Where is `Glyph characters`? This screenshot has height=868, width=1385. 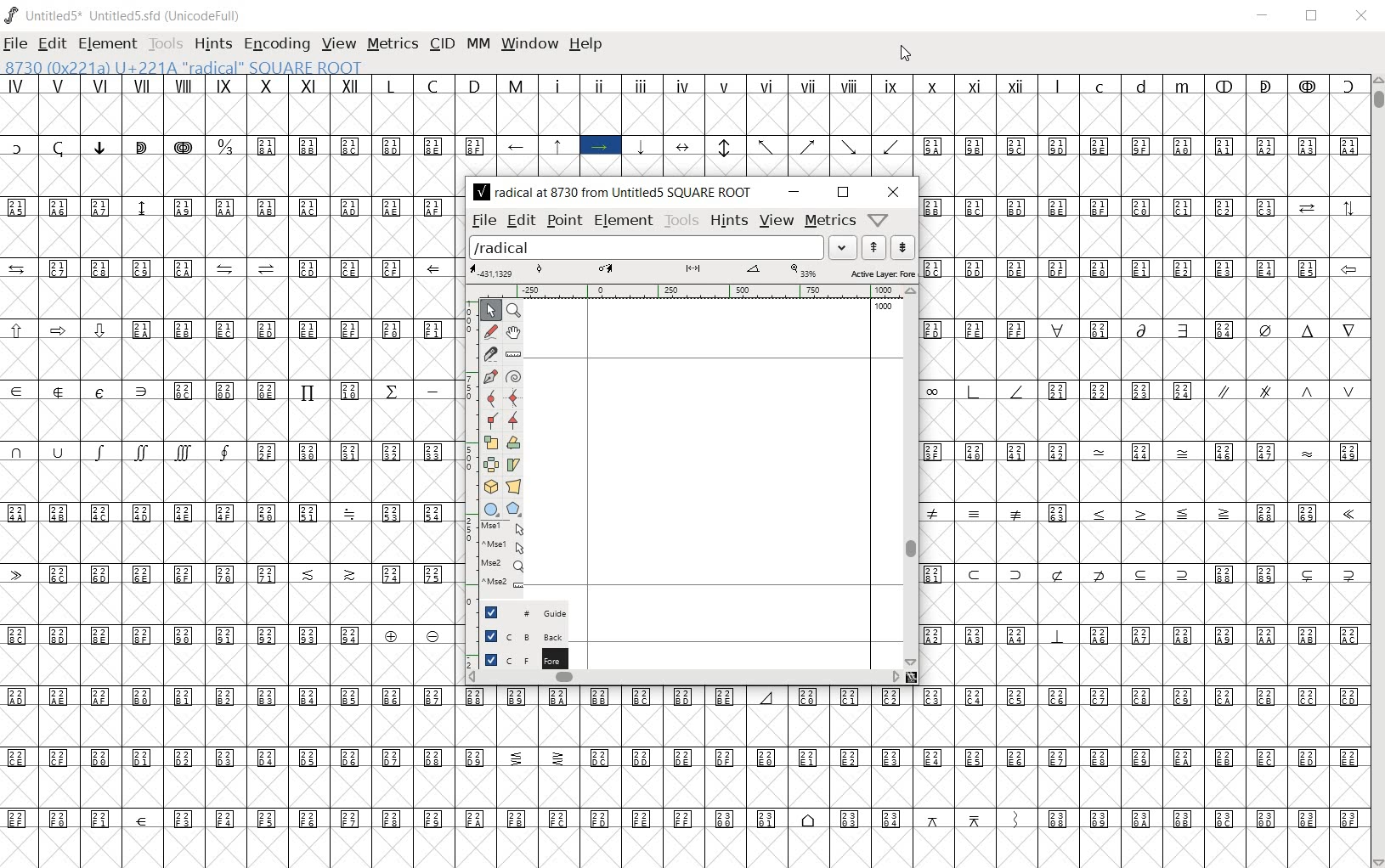
Glyph characters is located at coordinates (228, 472).